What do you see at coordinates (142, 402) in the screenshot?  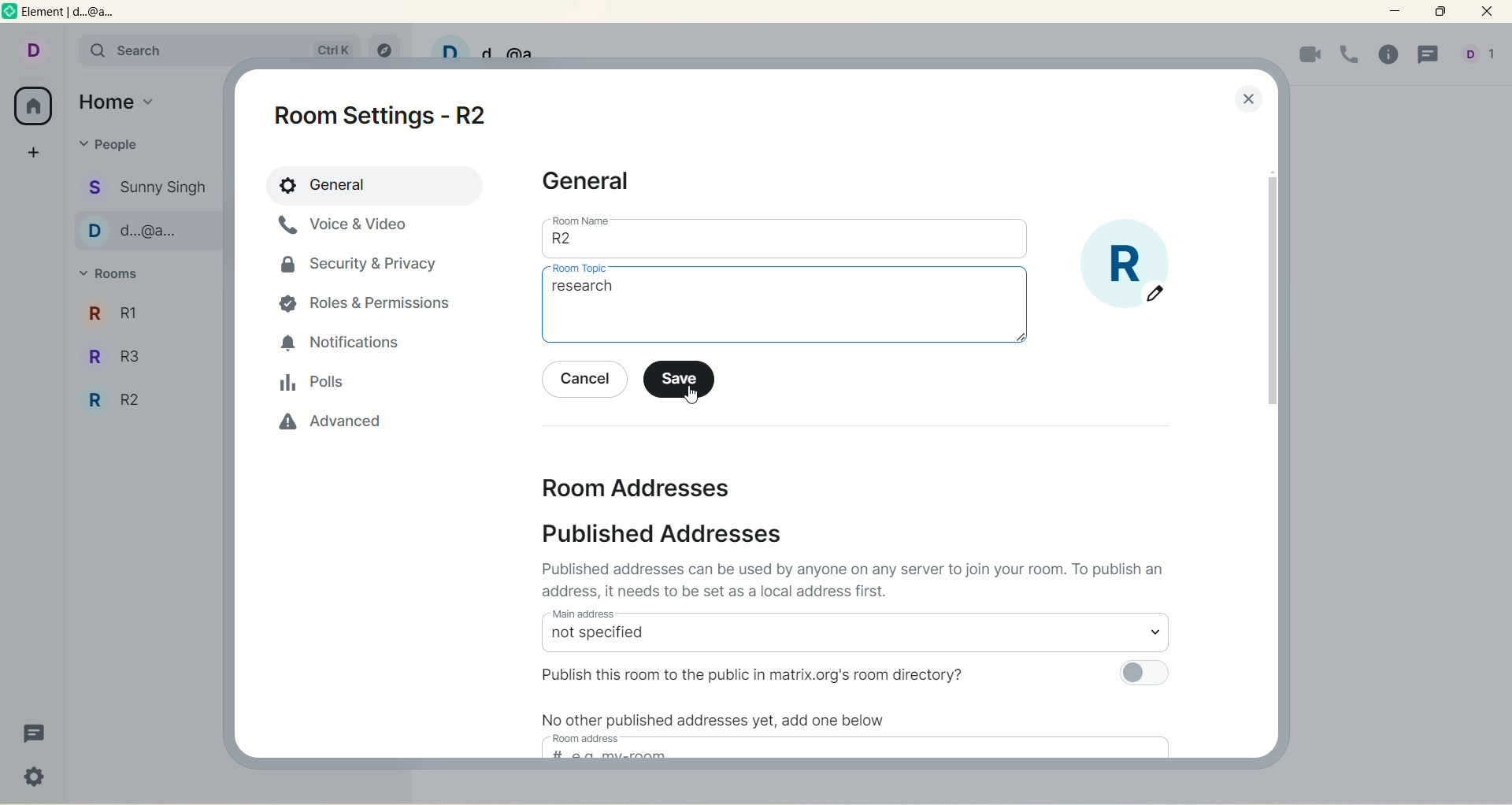 I see `R2` at bounding box center [142, 402].